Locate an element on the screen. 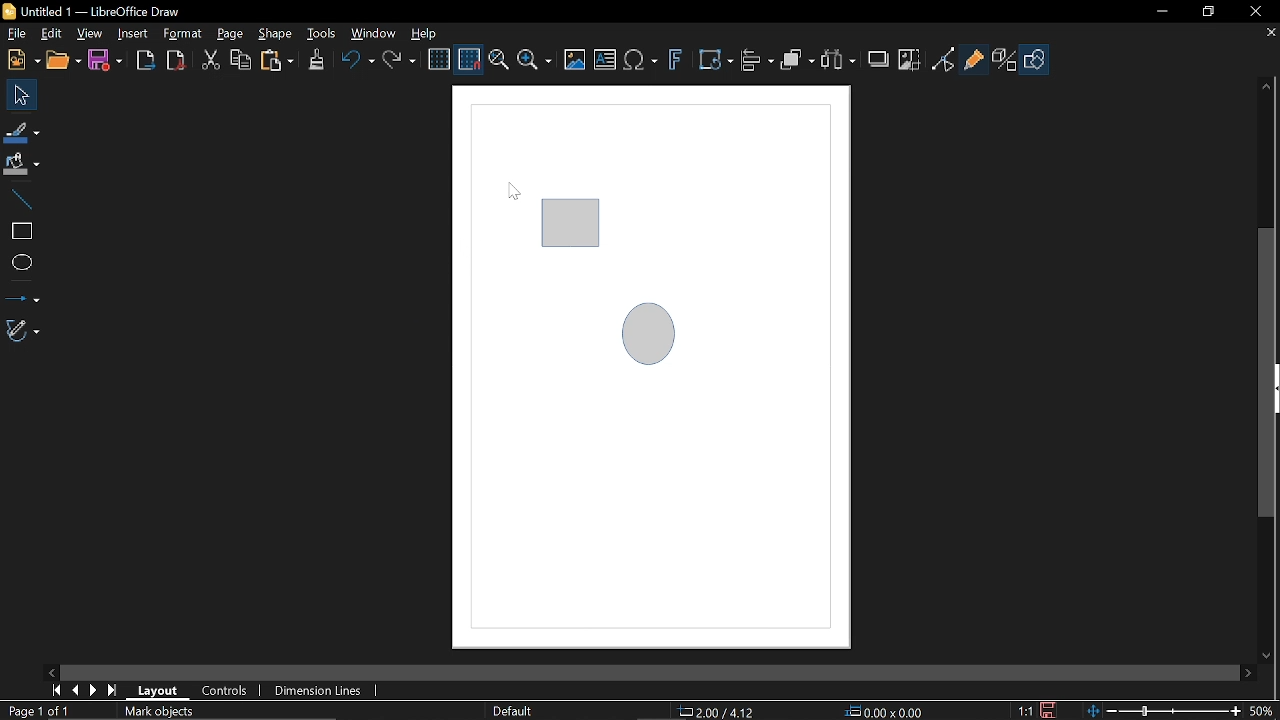  Insert fontwork text is located at coordinates (675, 61).